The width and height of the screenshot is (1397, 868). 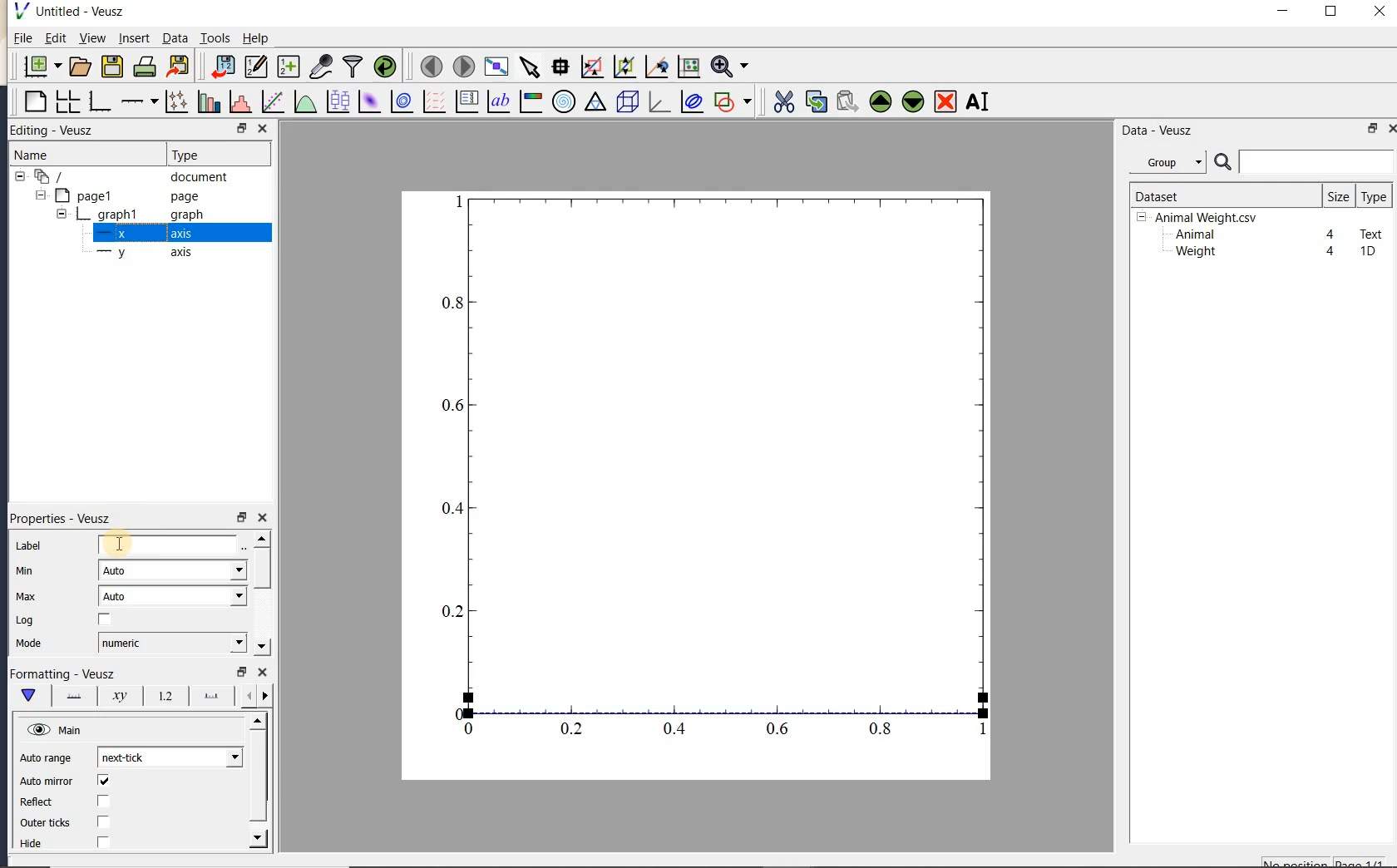 I want to click on major ticks, so click(x=208, y=695).